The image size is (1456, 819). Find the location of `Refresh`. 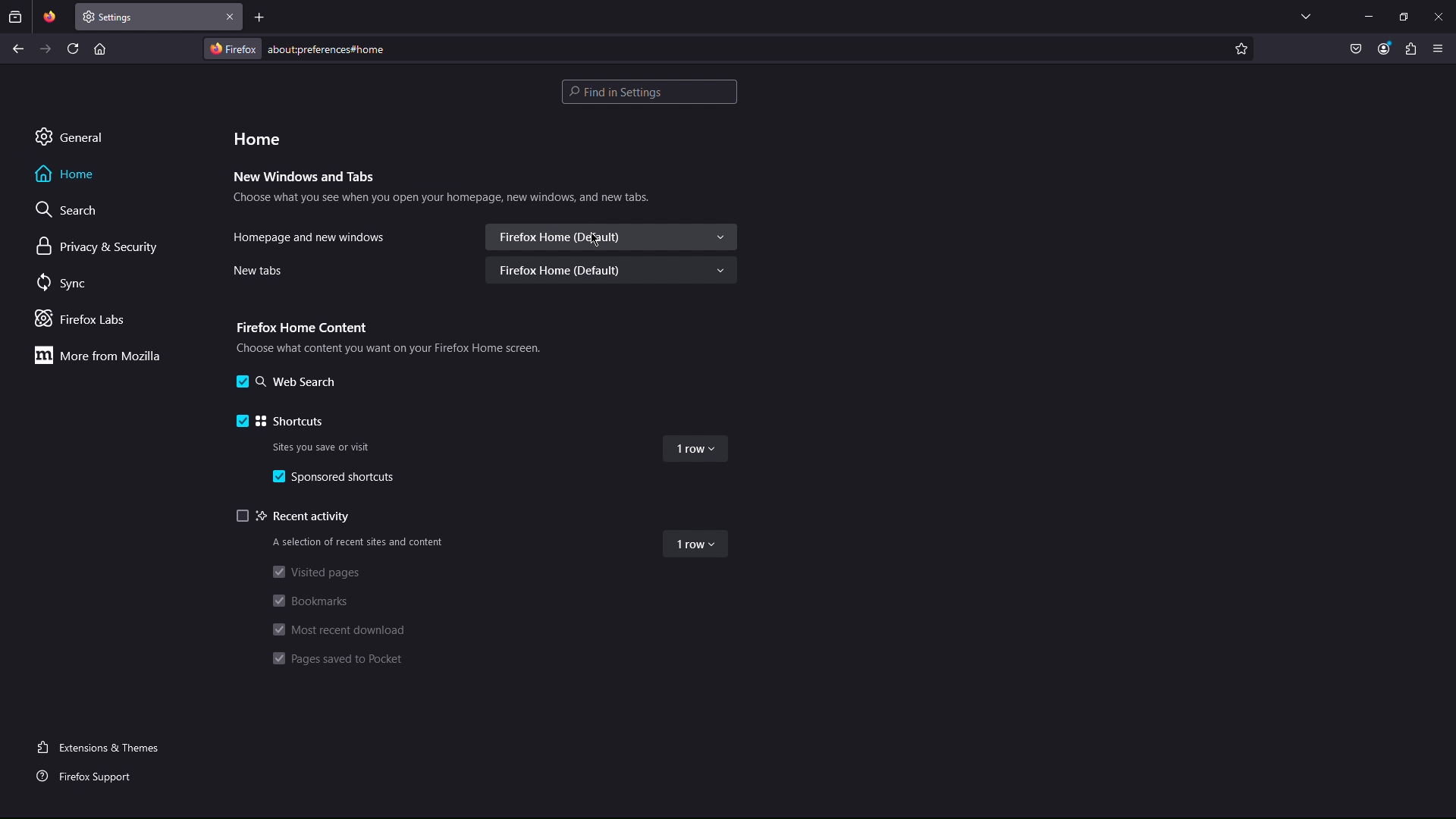

Refresh is located at coordinates (74, 48).